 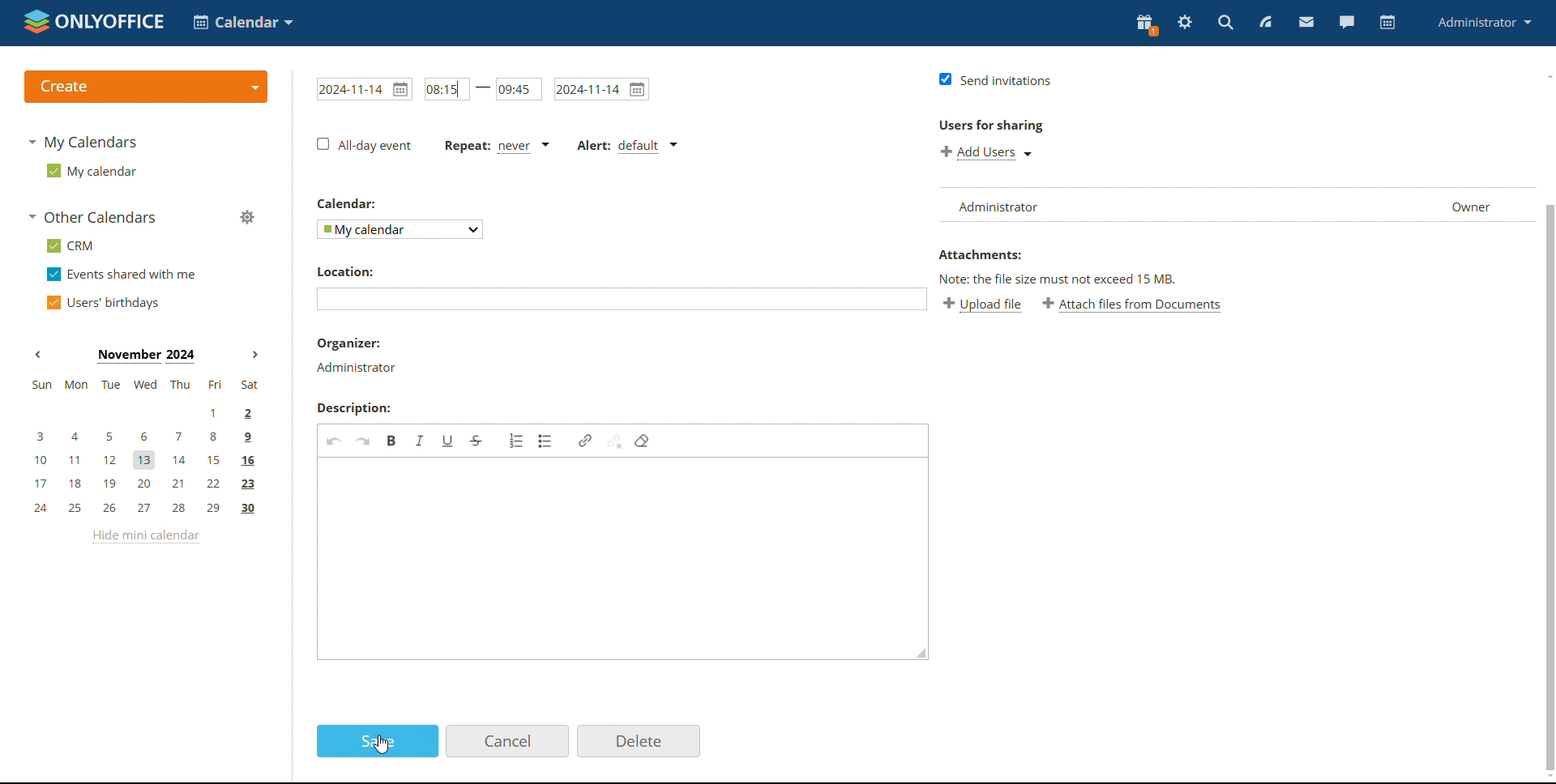 What do you see at coordinates (378, 741) in the screenshot?
I see `save` at bounding box center [378, 741].